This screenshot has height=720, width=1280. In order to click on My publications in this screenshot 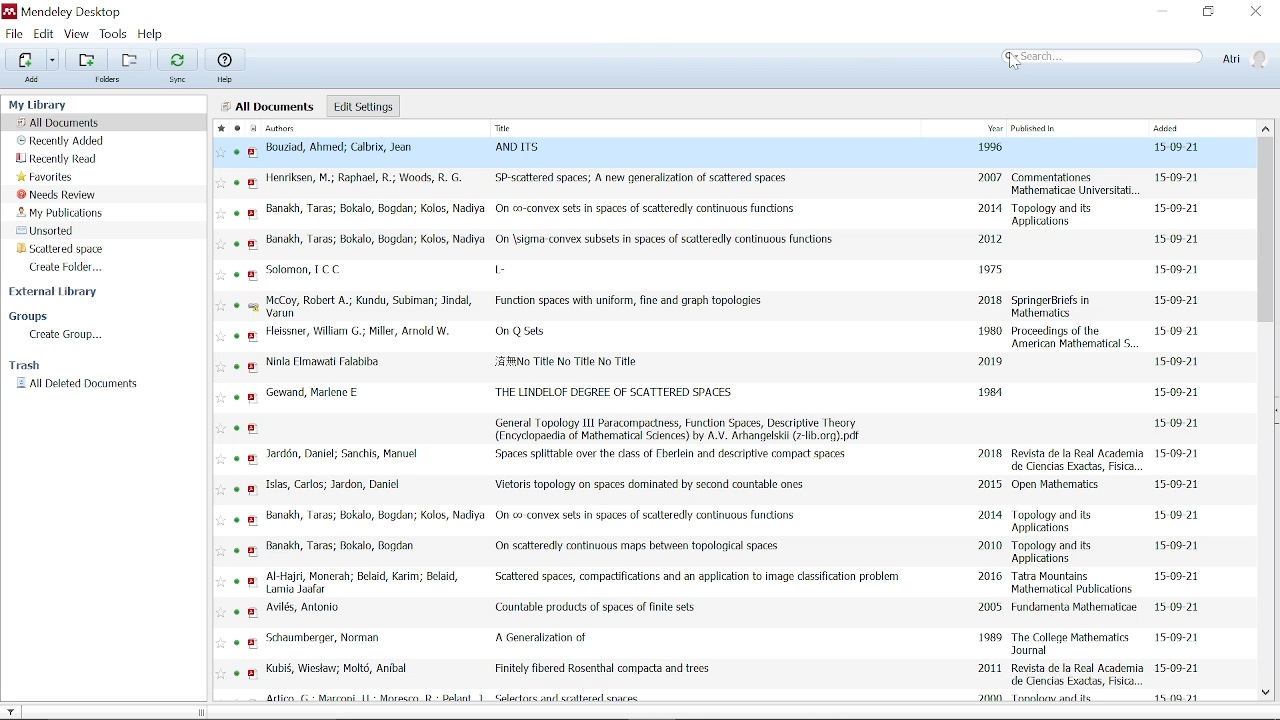, I will do `click(61, 213)`.